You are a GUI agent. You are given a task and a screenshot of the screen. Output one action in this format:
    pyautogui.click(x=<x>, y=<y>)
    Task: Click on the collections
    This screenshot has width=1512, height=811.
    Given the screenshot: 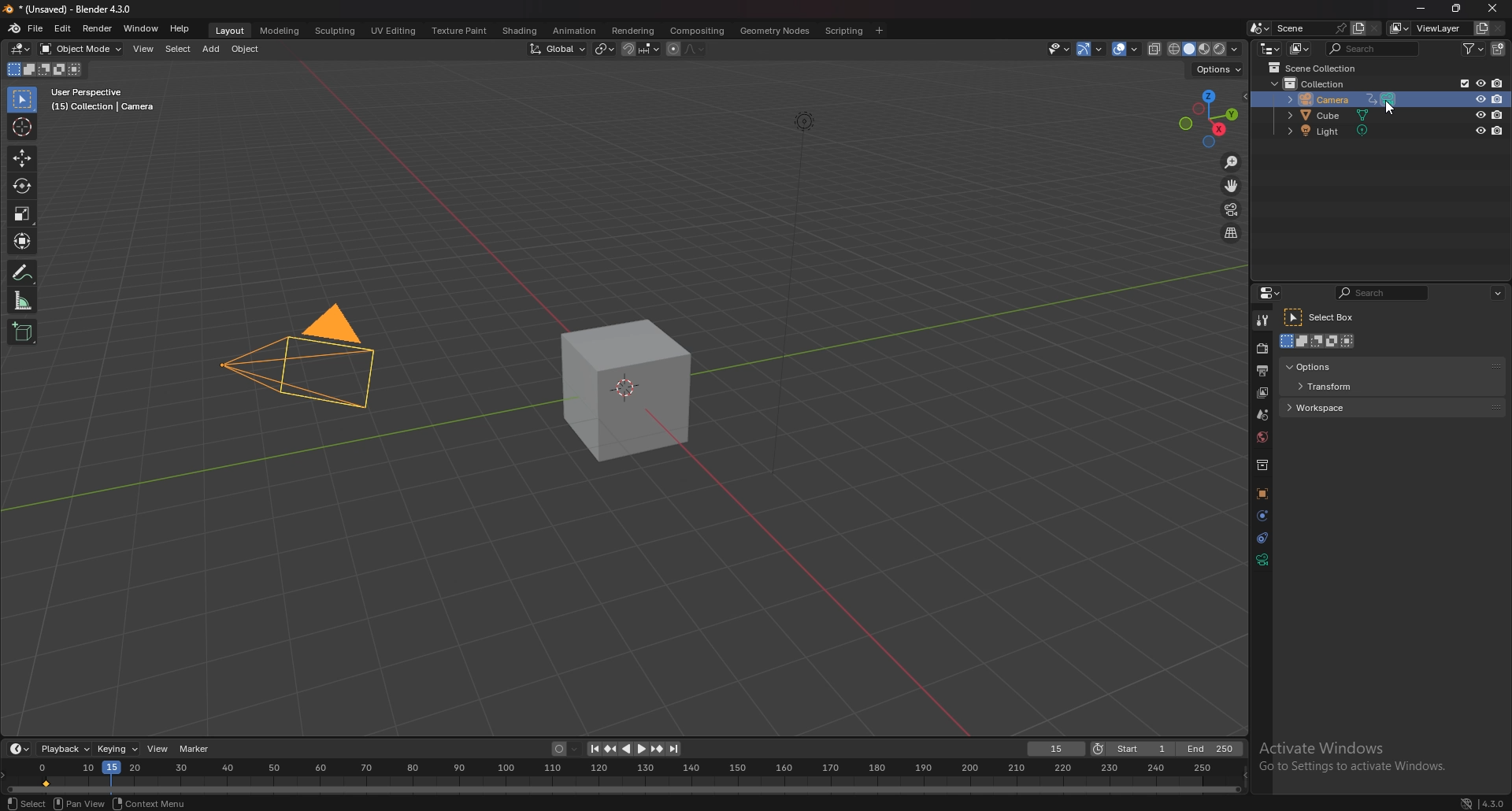 What is the action you would take?
    pyautogui.click(x=1262, y=466)
    